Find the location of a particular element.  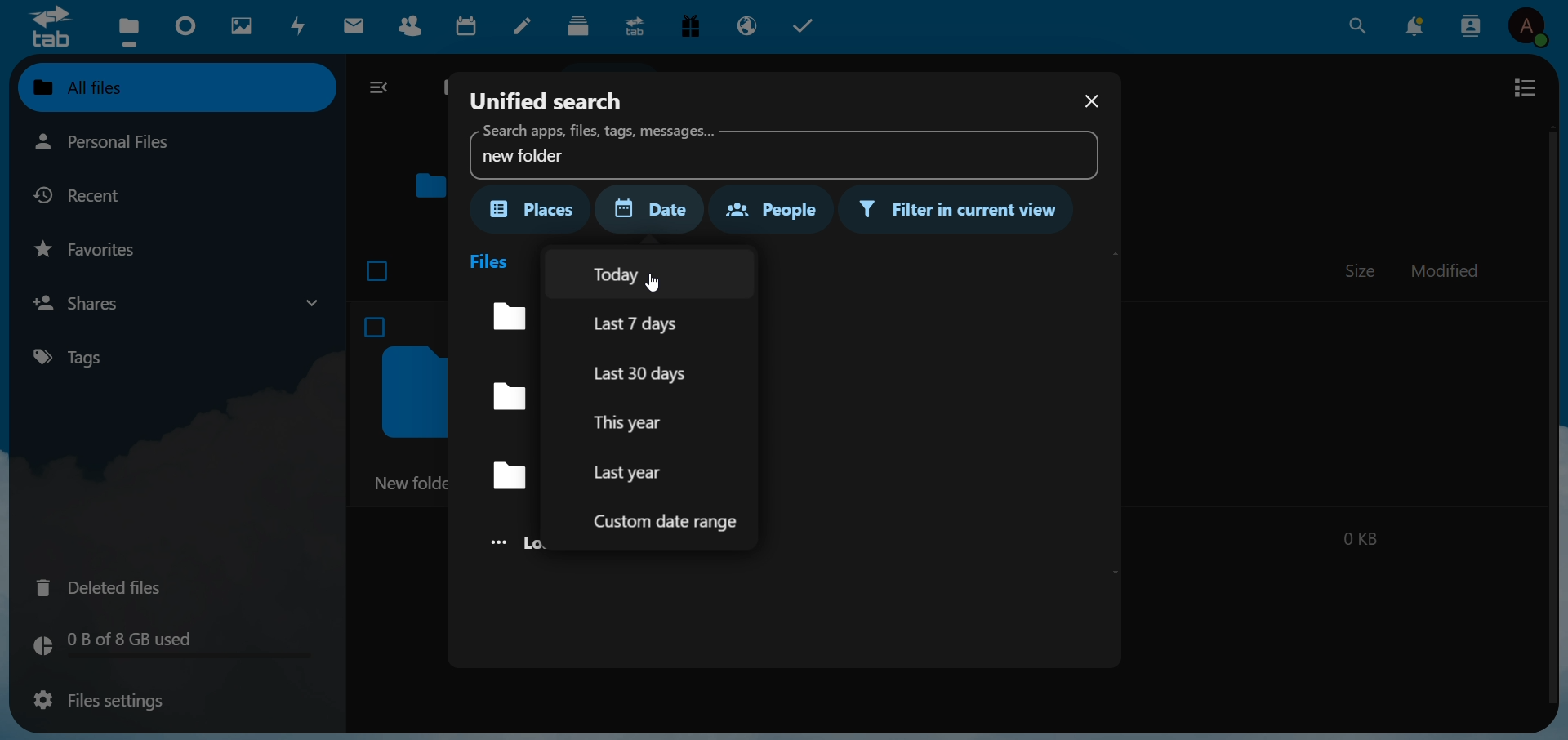

images is located at coordinates (240, 26).